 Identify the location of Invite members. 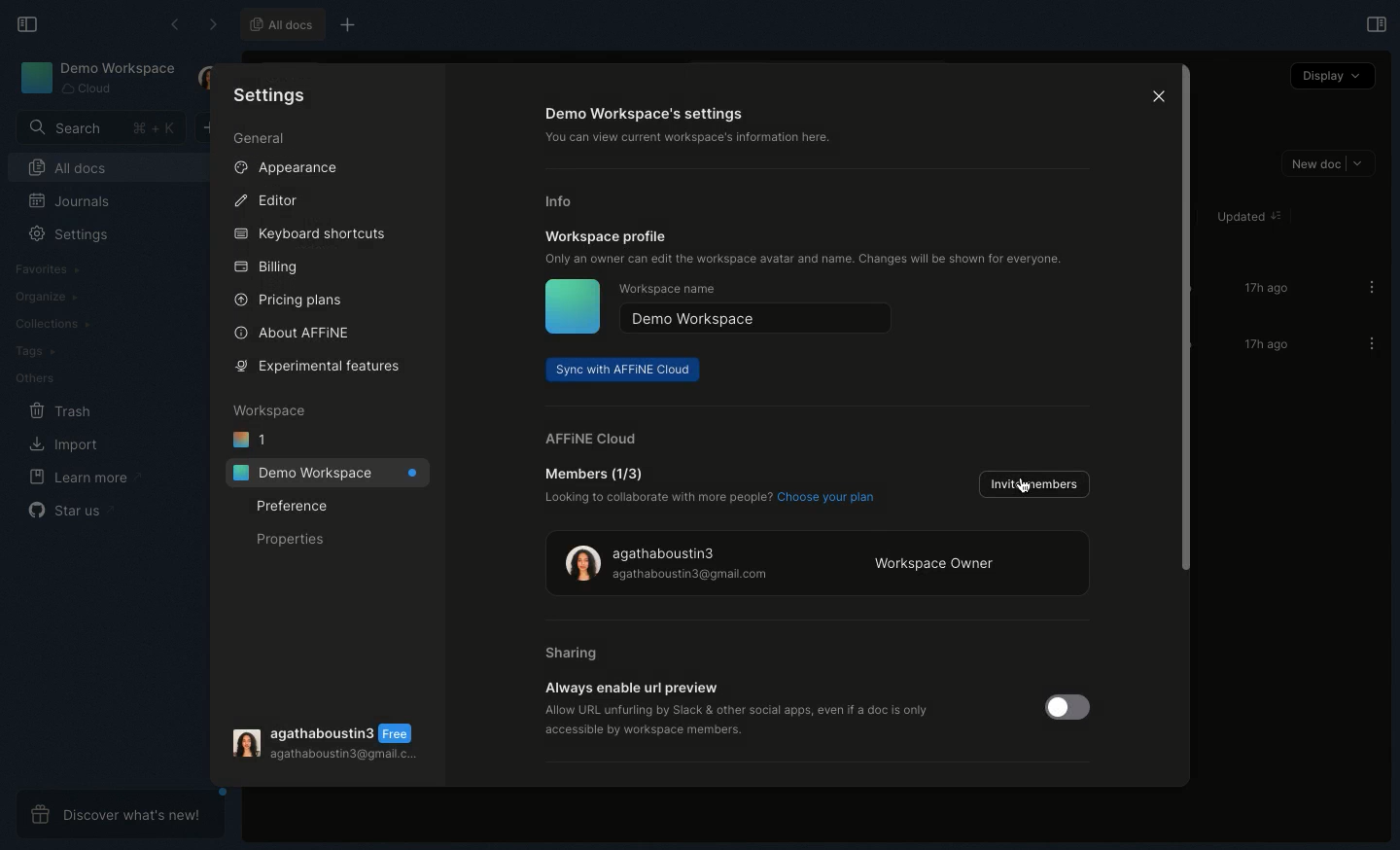
(1032, 484).